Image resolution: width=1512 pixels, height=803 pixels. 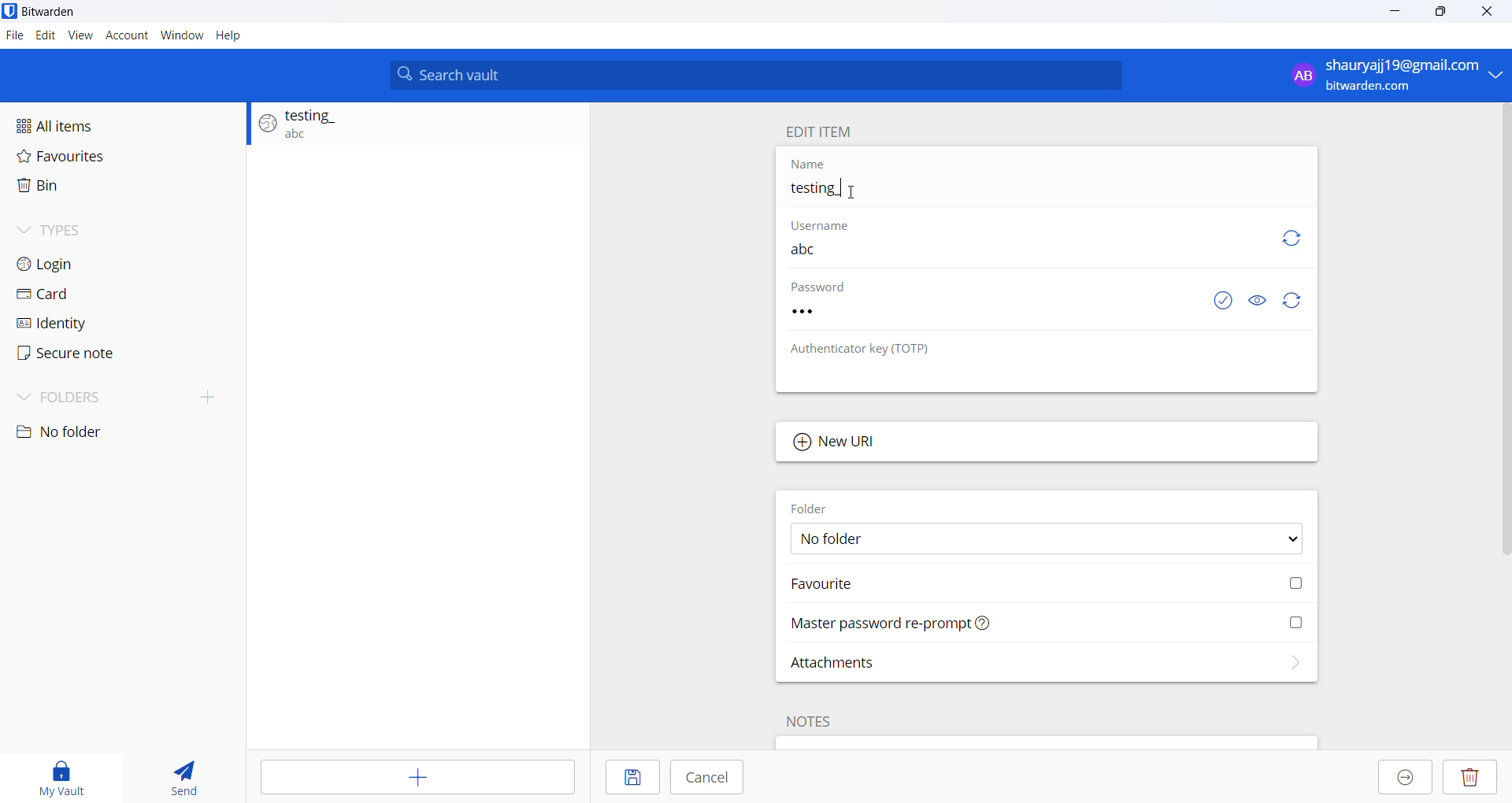 What do you see at coordinates (1503, 336) in the screenshot?
I see `Scroll bar` at bounding box center [1503, 336].